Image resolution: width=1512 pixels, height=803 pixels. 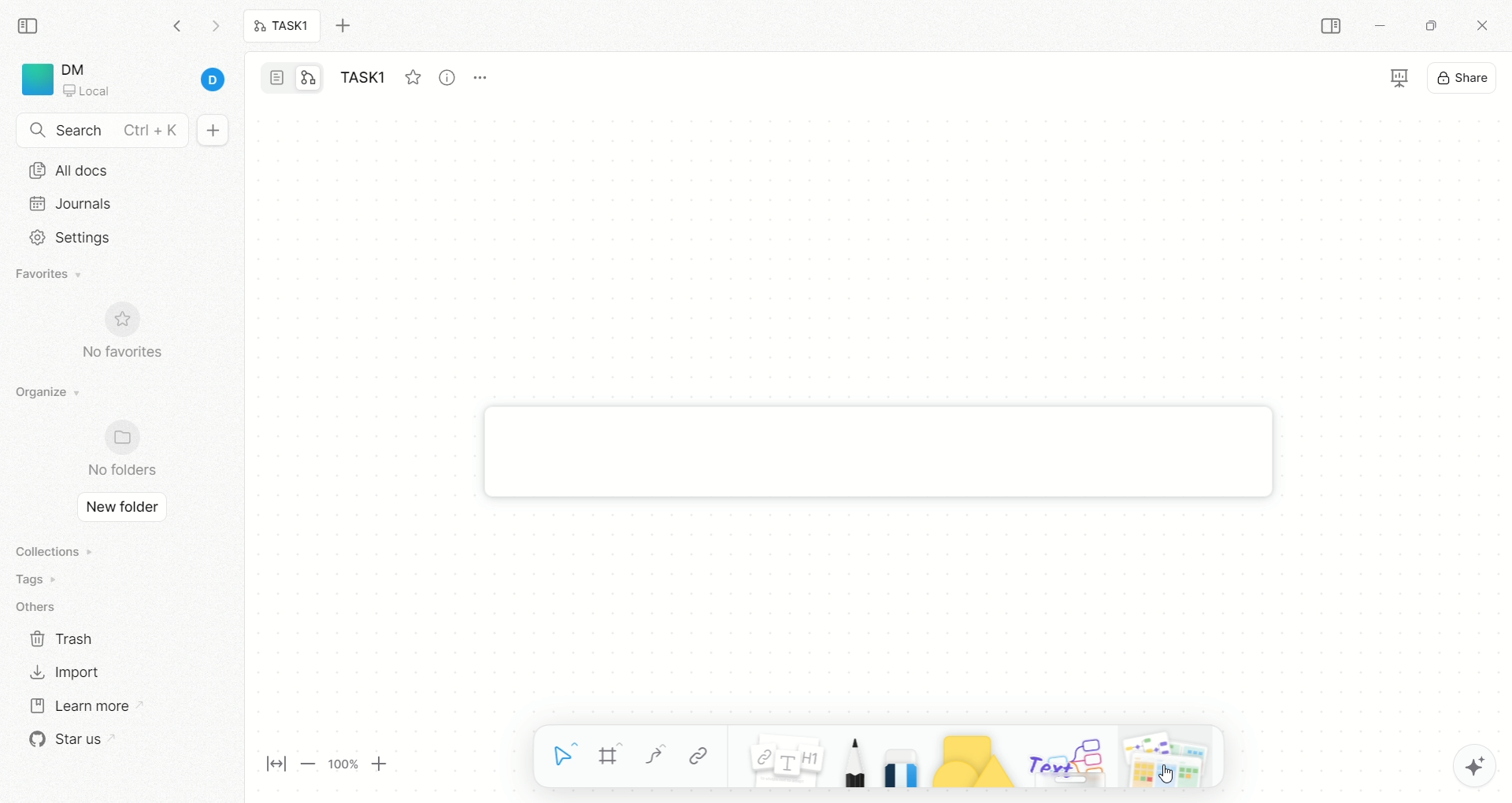 What do you see at coordinates (850, 758) in the screenshot?
I see `pencil` at bounding box center [850, 758].